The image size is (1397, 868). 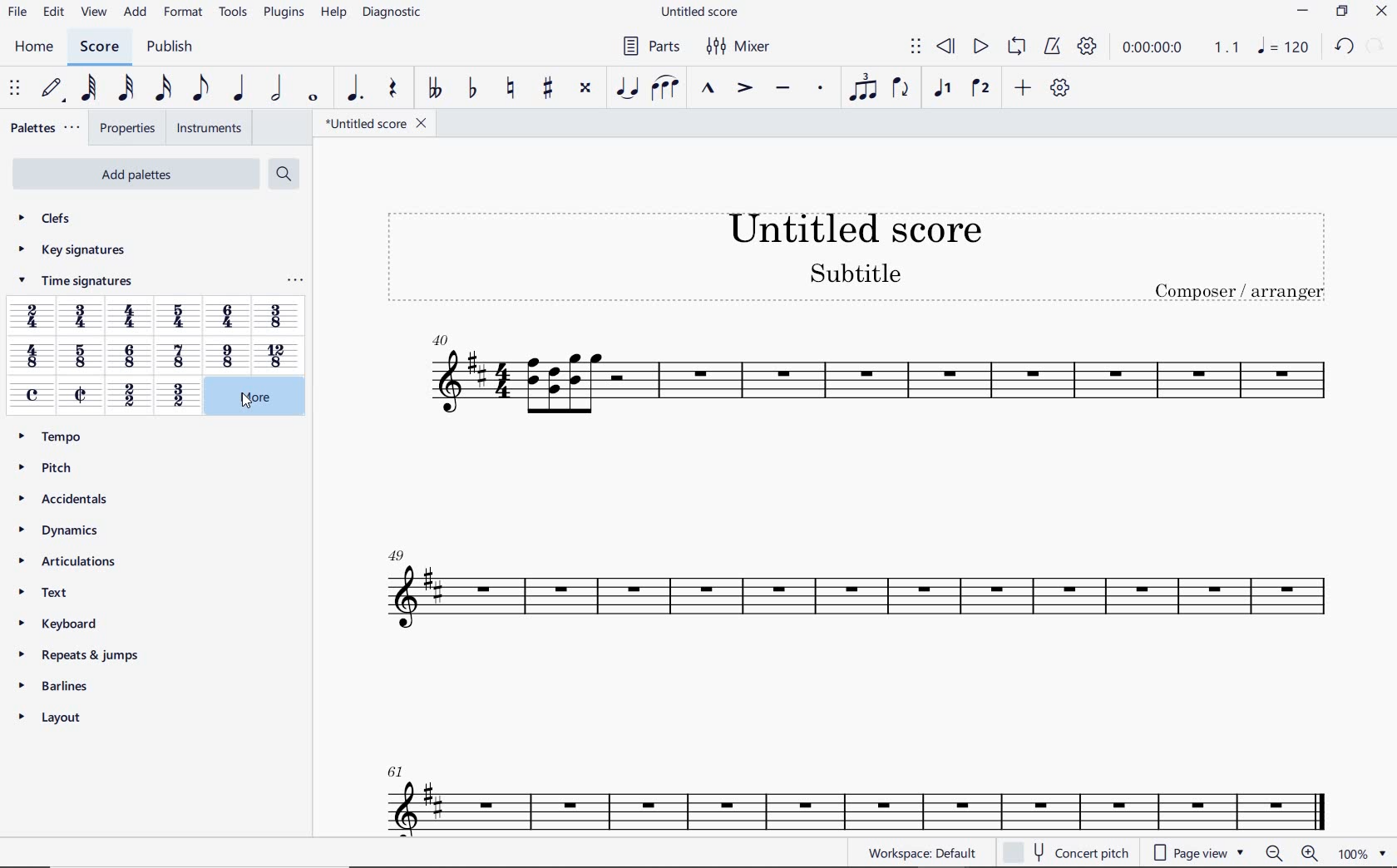 What do you see at coordinates (228, 316) in the screenshot?
I see `6/4` at bounding box center [228, 316].